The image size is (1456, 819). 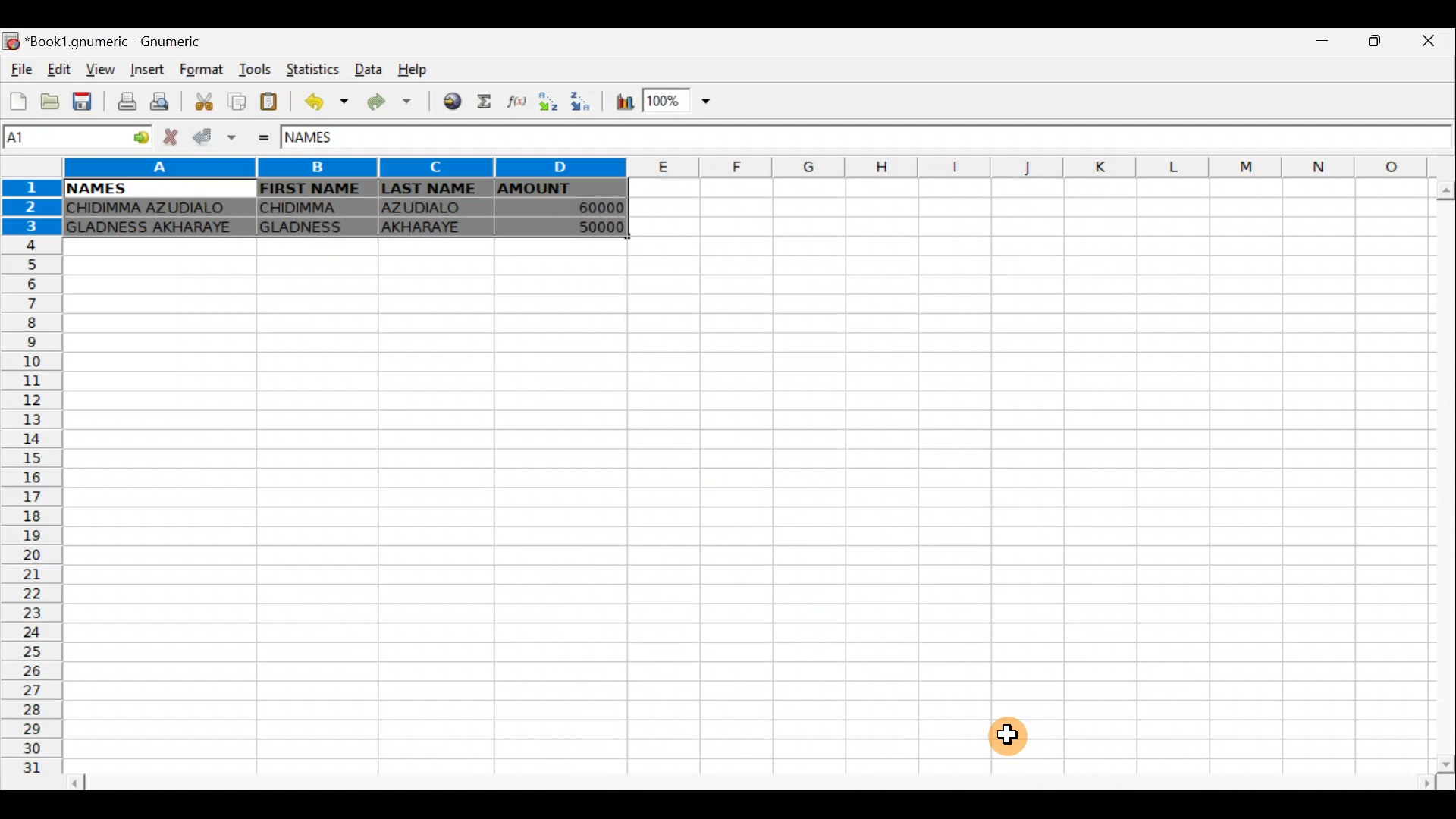 I want to click on Accept change, so click(x=212, y=137).